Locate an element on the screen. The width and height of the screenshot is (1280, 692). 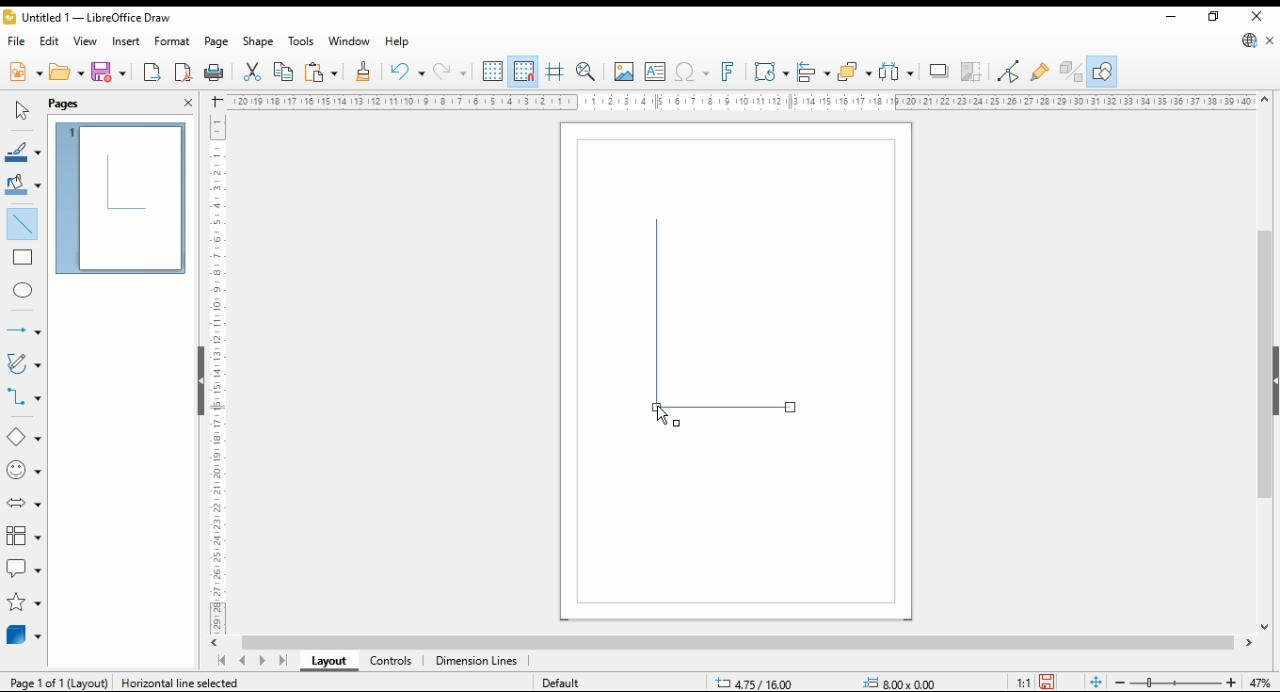
3D objects is located at coordinates (25, 635).